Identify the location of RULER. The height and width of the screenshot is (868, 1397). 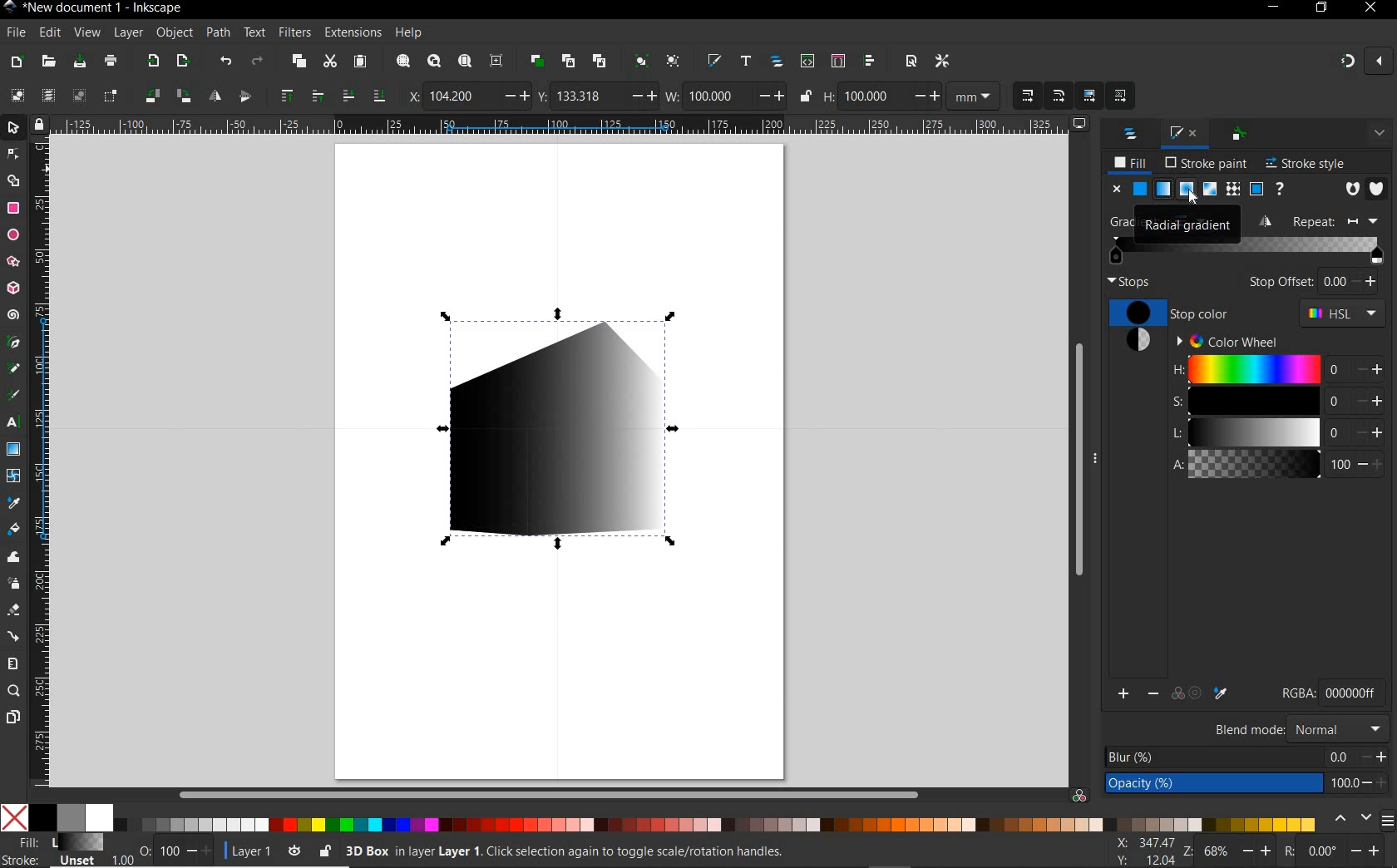
(559, 126).